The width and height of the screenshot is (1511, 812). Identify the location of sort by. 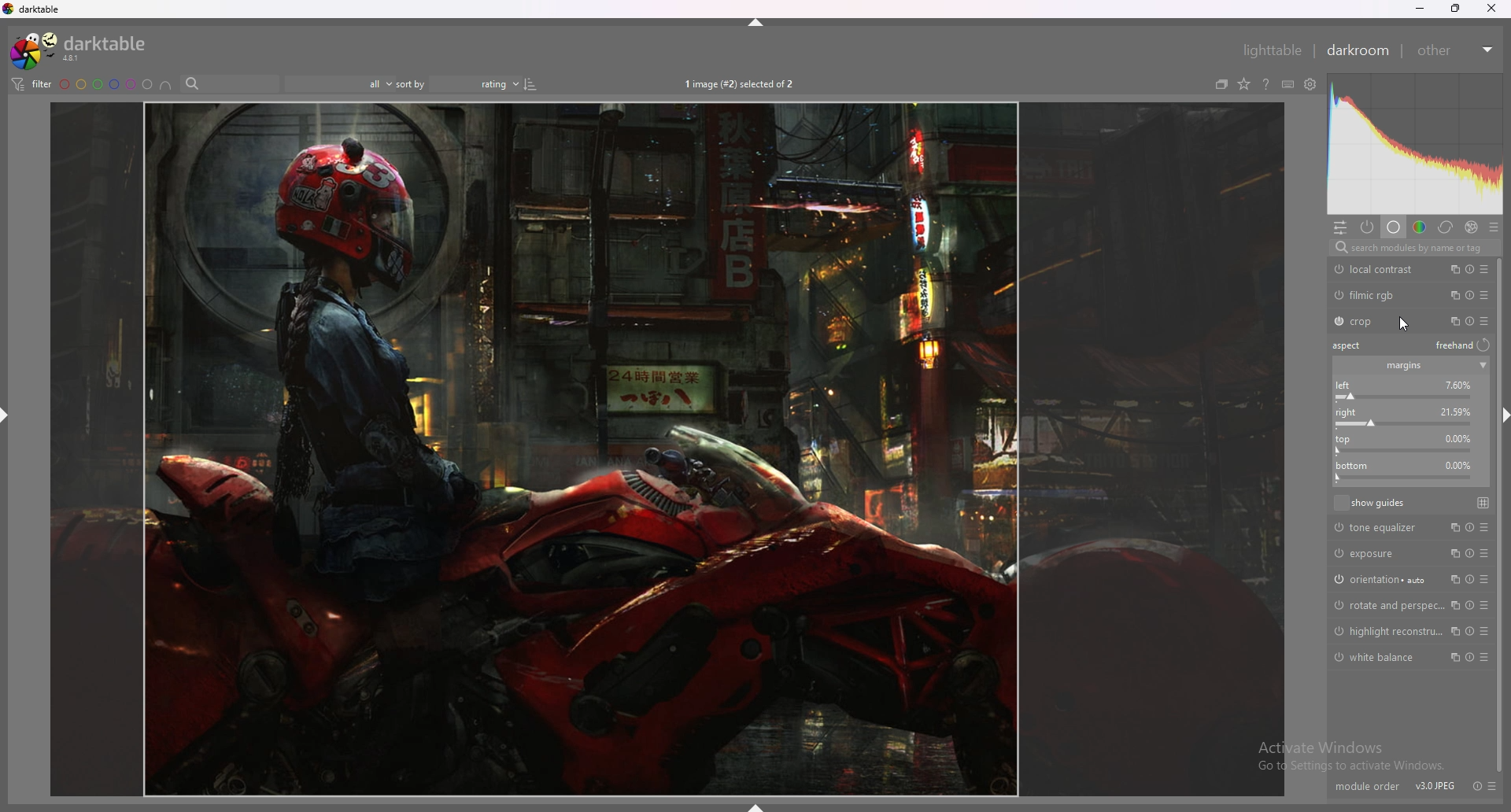
(412, 83).